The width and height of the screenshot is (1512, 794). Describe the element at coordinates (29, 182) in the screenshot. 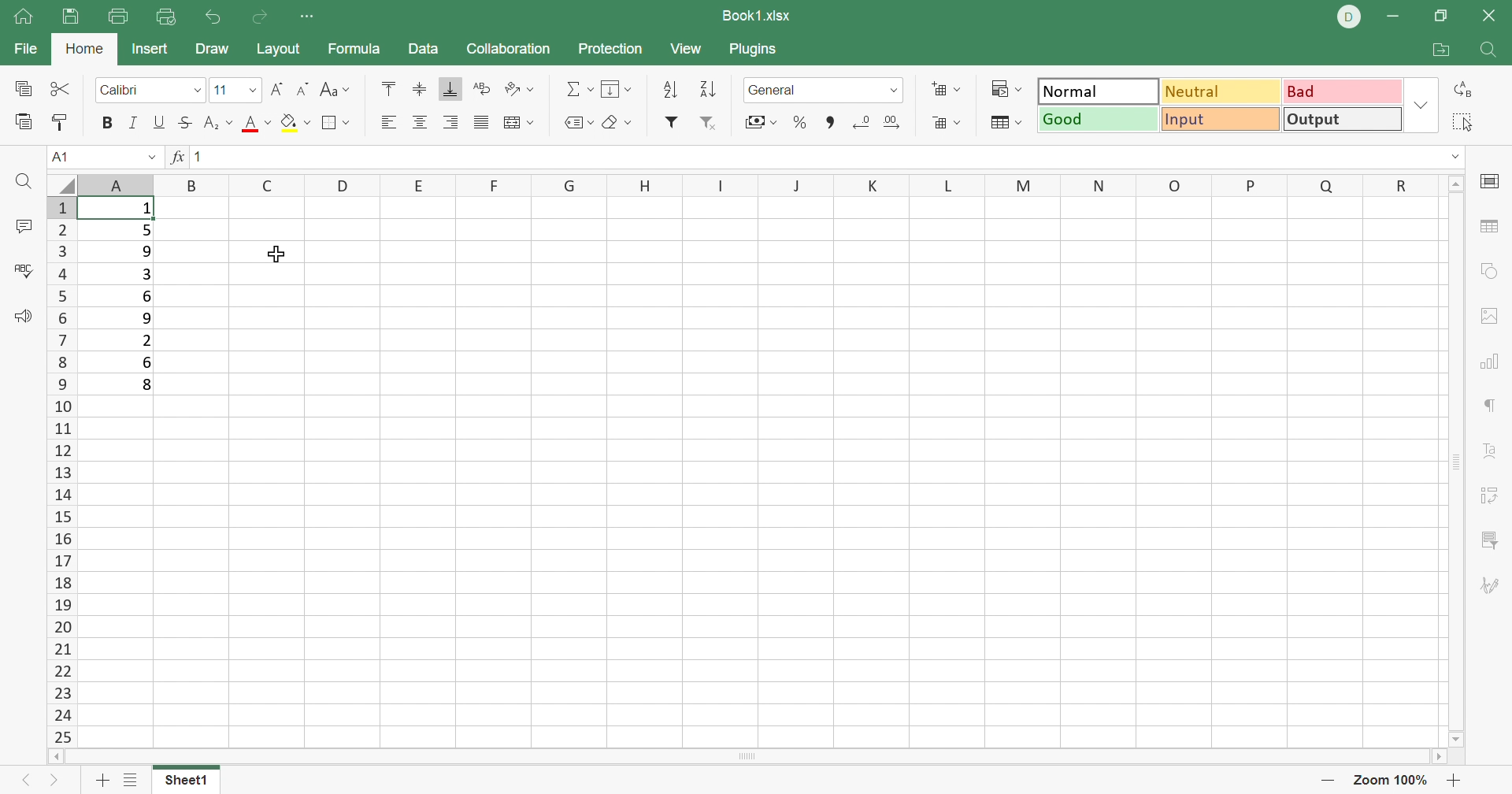

I see `Find` at that location.